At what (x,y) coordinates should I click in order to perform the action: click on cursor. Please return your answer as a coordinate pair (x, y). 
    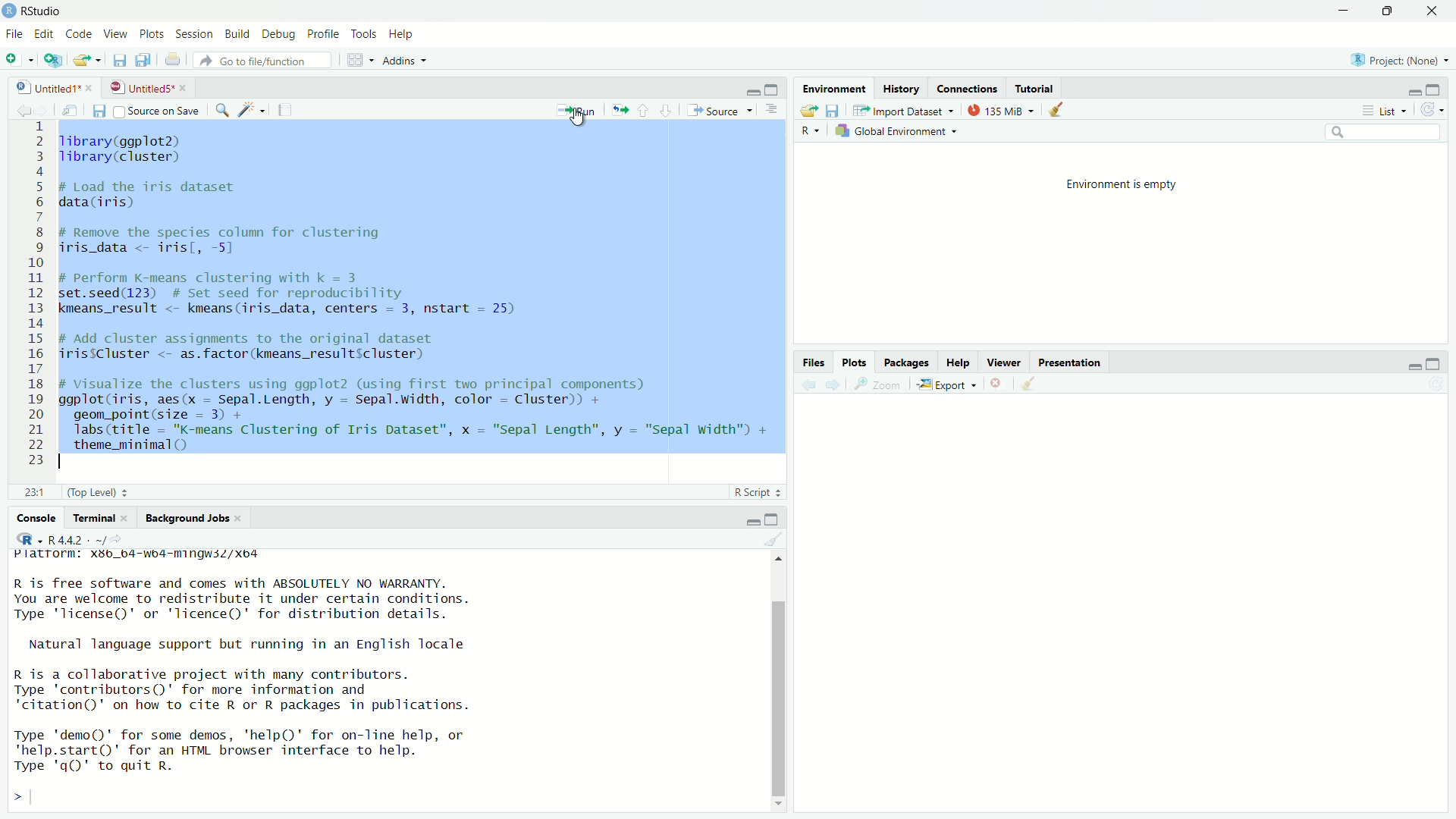
    Looking at the image, I should click on (579, 120).